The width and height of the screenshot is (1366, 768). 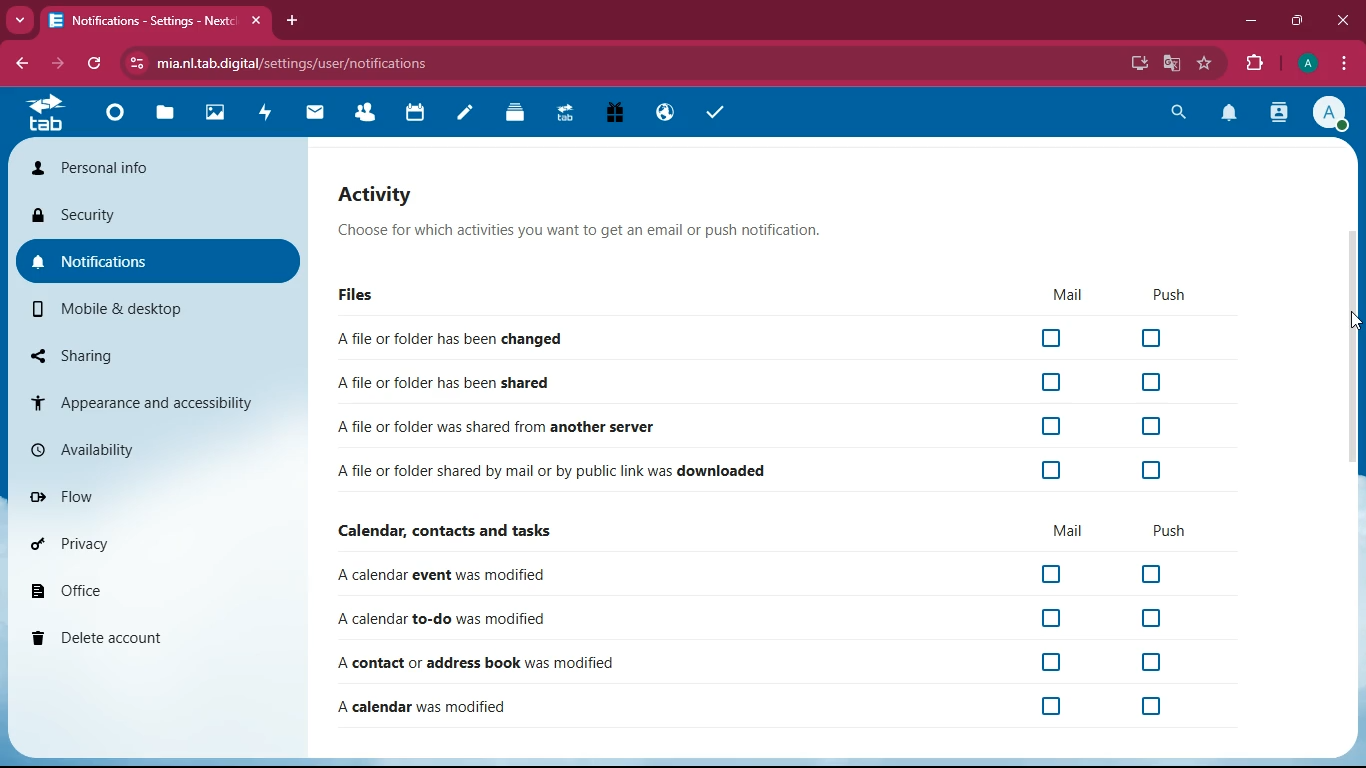 What do you see at coordinates (1063, 533) in the screenshot?
I see `mail` at bounding box center [1063, 533].